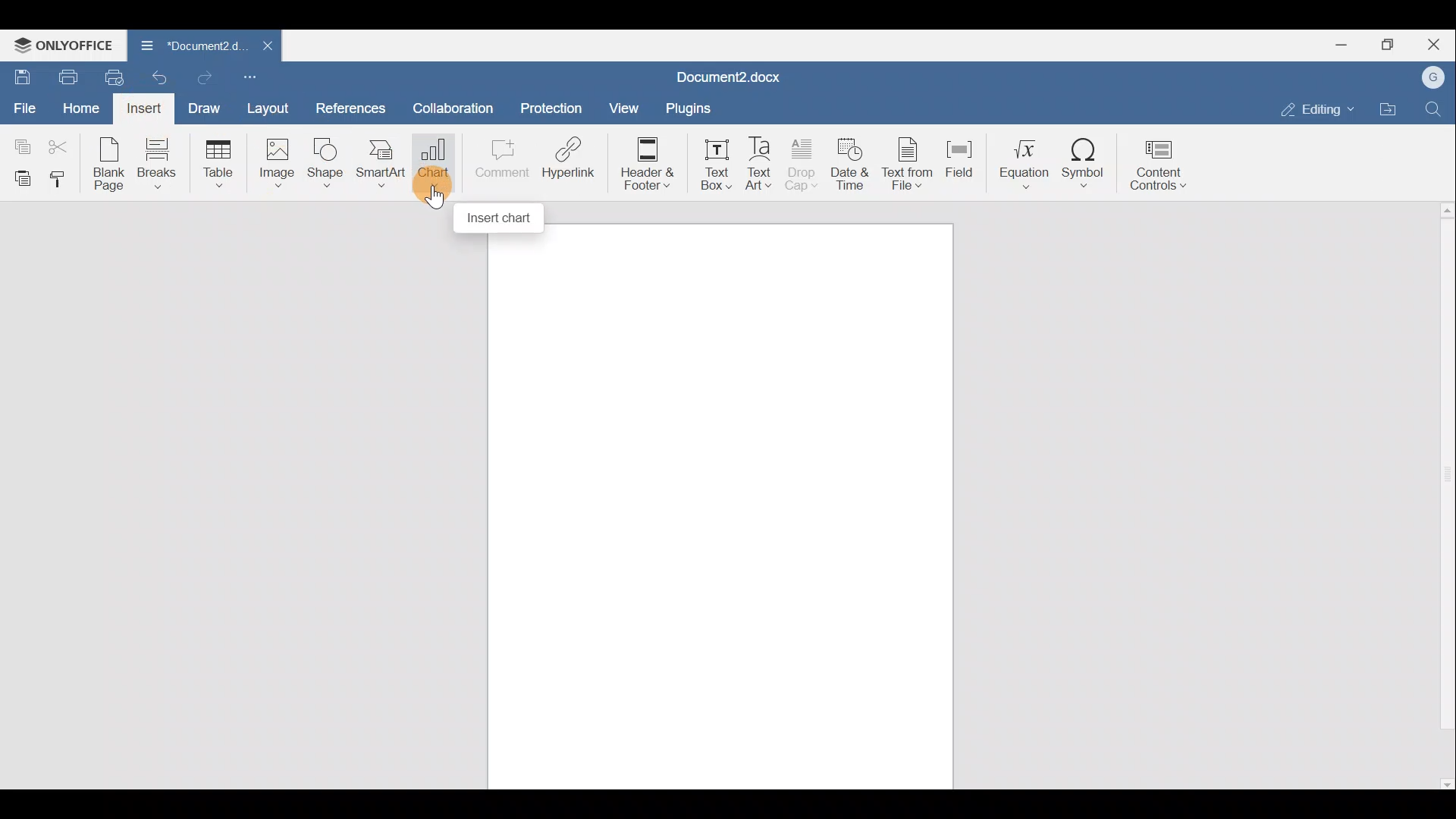 This screenshot has height=819, width=1456. Describe the element at coordinates (206, 110) in the screenshot. I see `Draw` at that location.